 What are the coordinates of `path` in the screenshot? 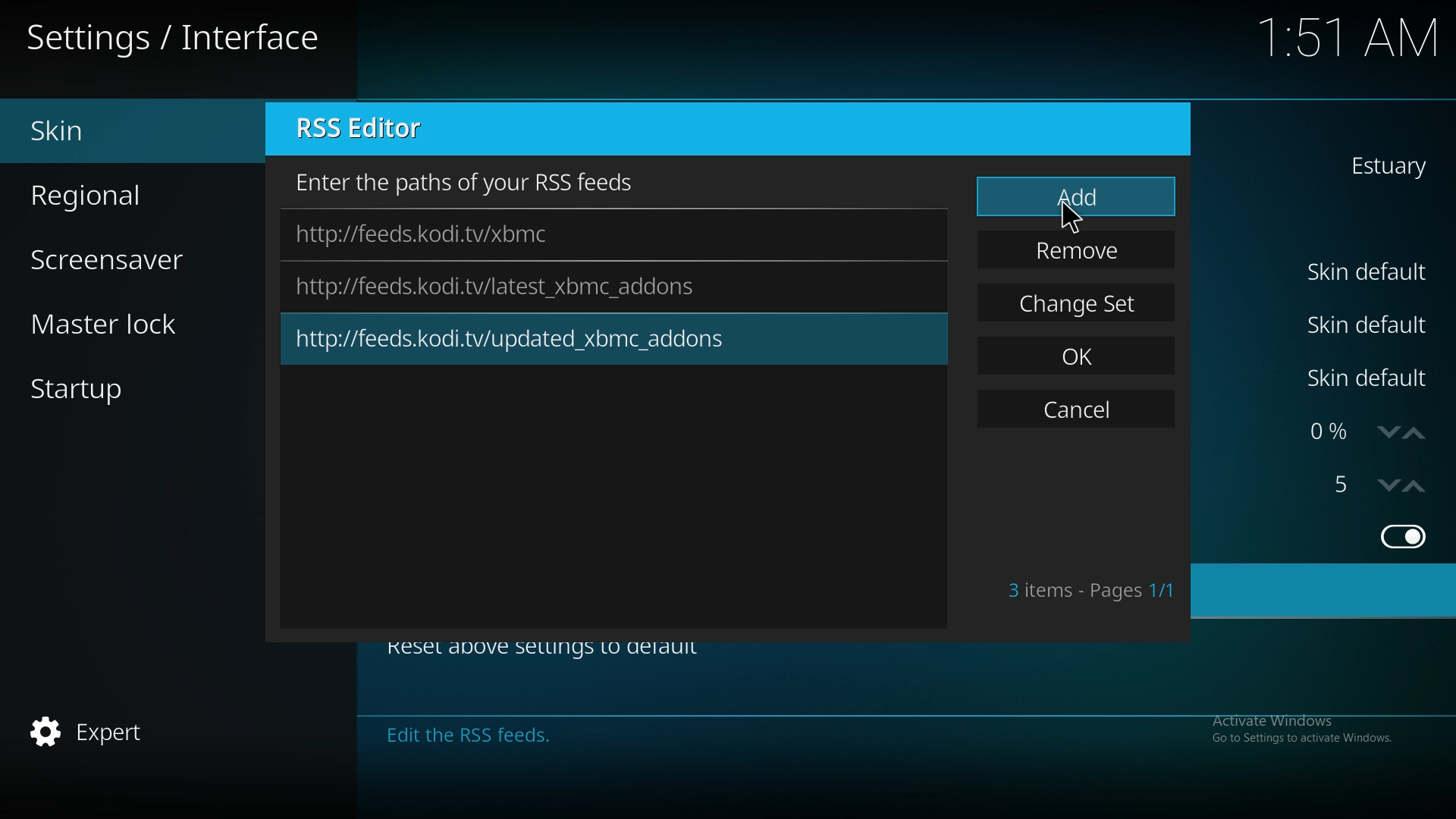 It's located at (503, 286).